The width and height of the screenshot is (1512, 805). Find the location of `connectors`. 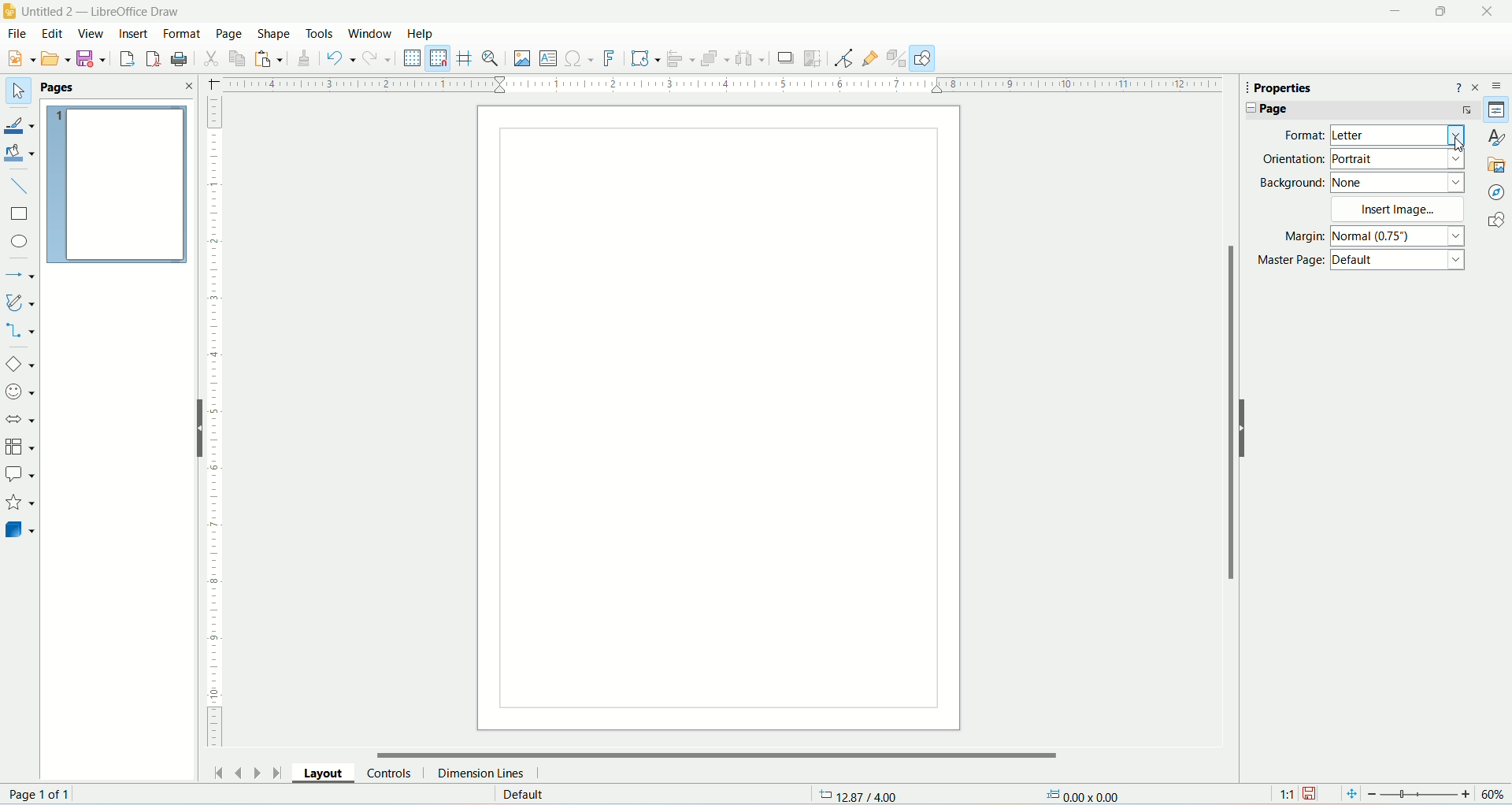

connectors is located at coordinates (20, 332).